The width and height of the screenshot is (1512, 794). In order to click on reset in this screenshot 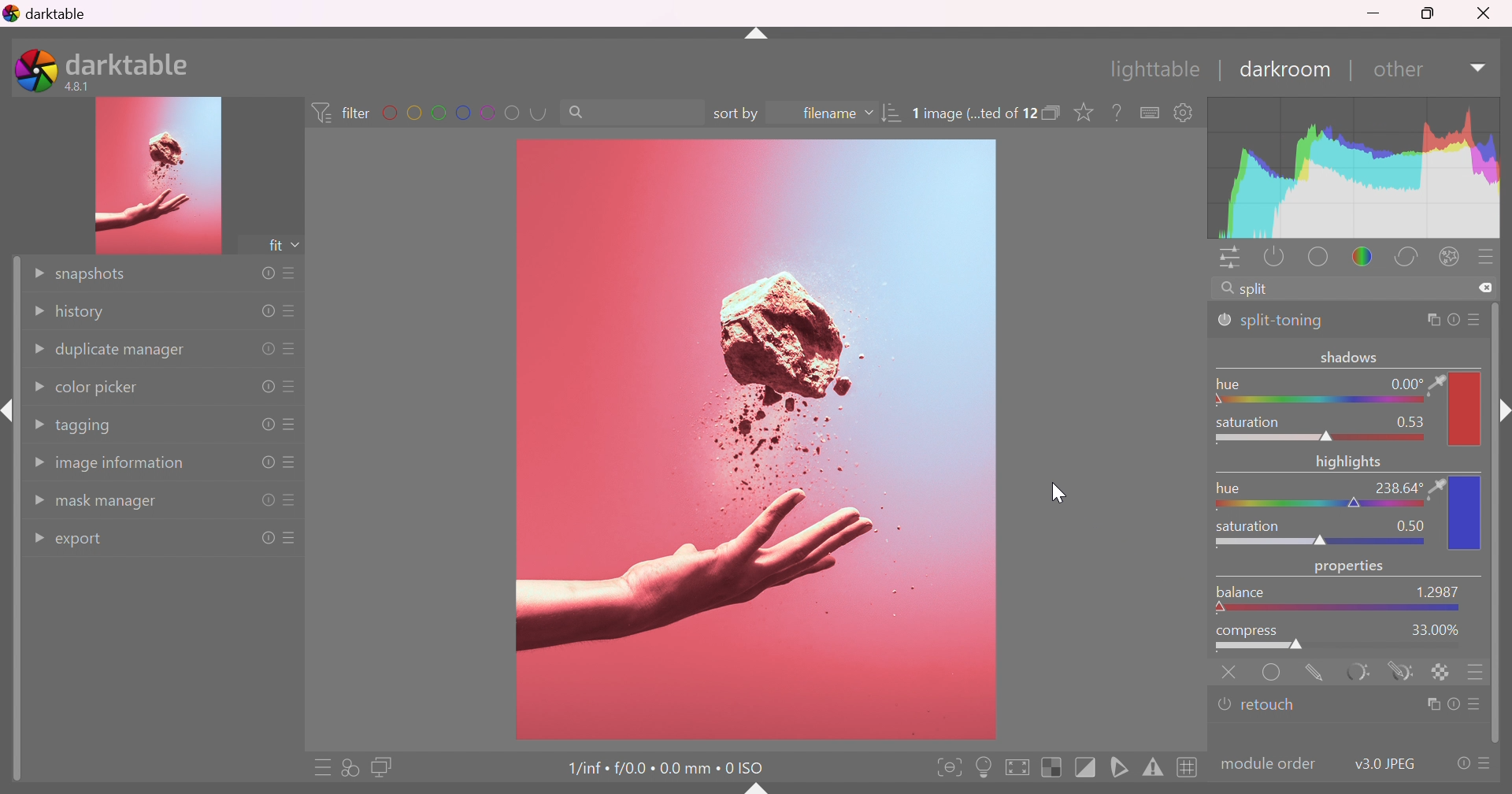, I will do `click(268, 463)`.